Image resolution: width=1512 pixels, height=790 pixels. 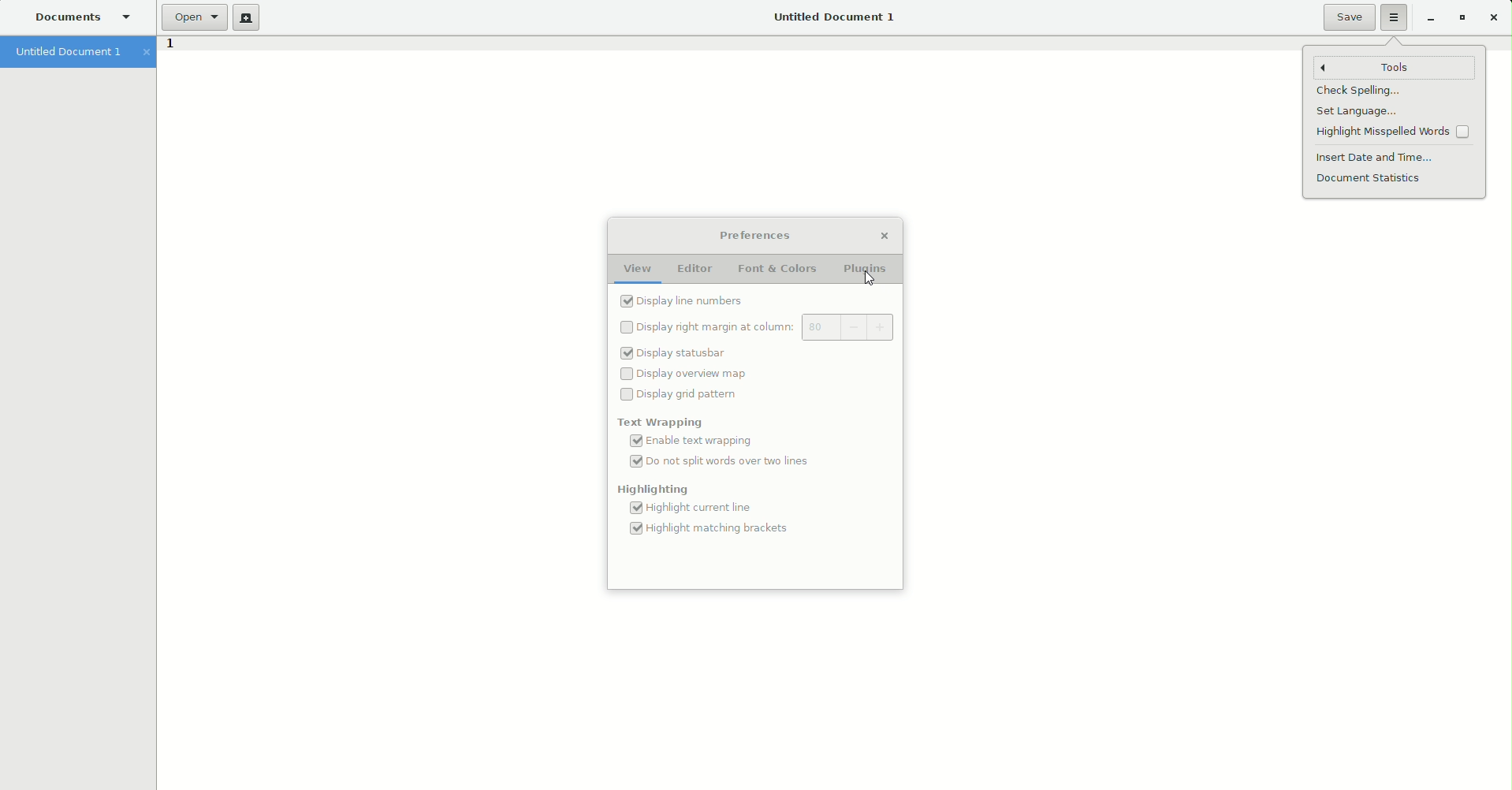 I want to click on Display grid pattern, so click(x=683, y=395).